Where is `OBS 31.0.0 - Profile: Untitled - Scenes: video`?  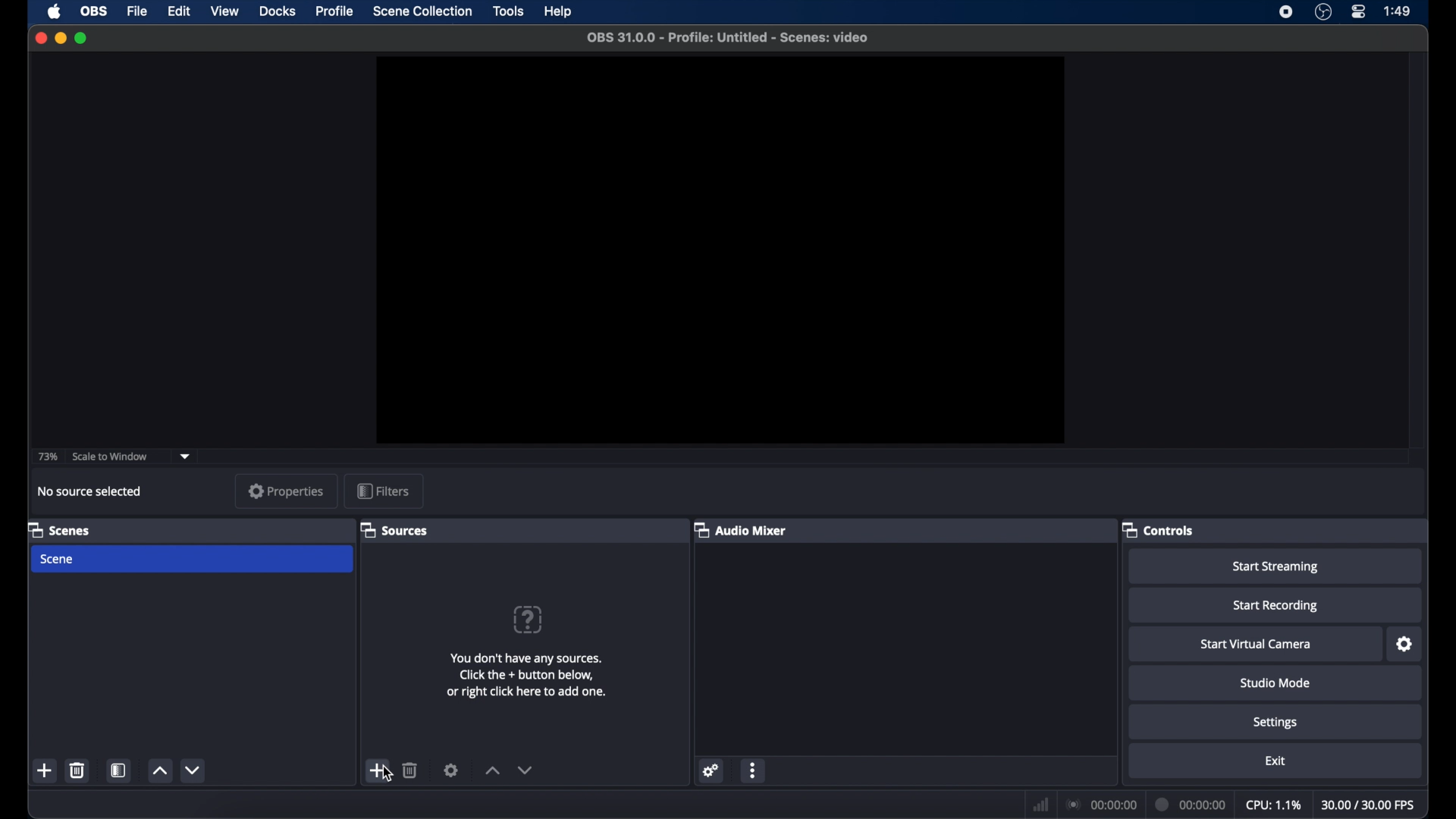 OBS 31.0.0 - Profile: Untitled - Scenes: video is located at coordinates (723, 35).